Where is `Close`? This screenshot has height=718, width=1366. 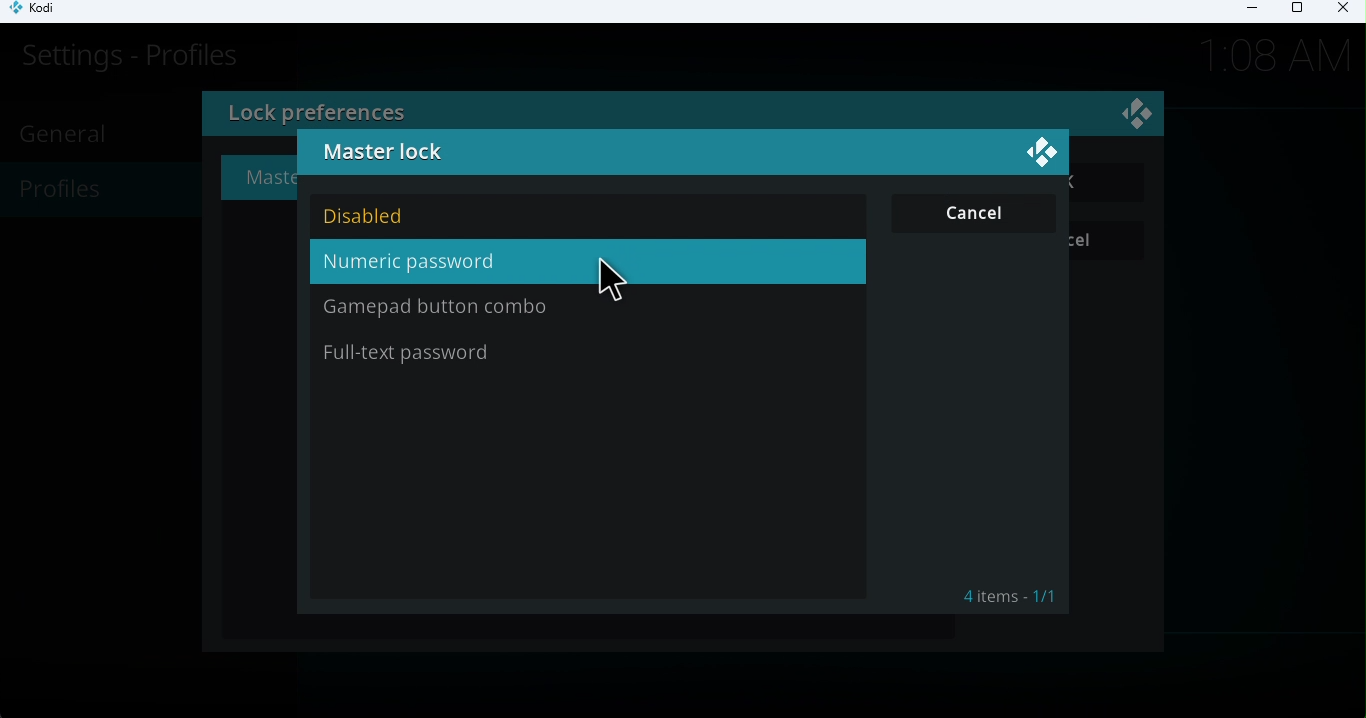 Close is located at coordinates (1340, 11).